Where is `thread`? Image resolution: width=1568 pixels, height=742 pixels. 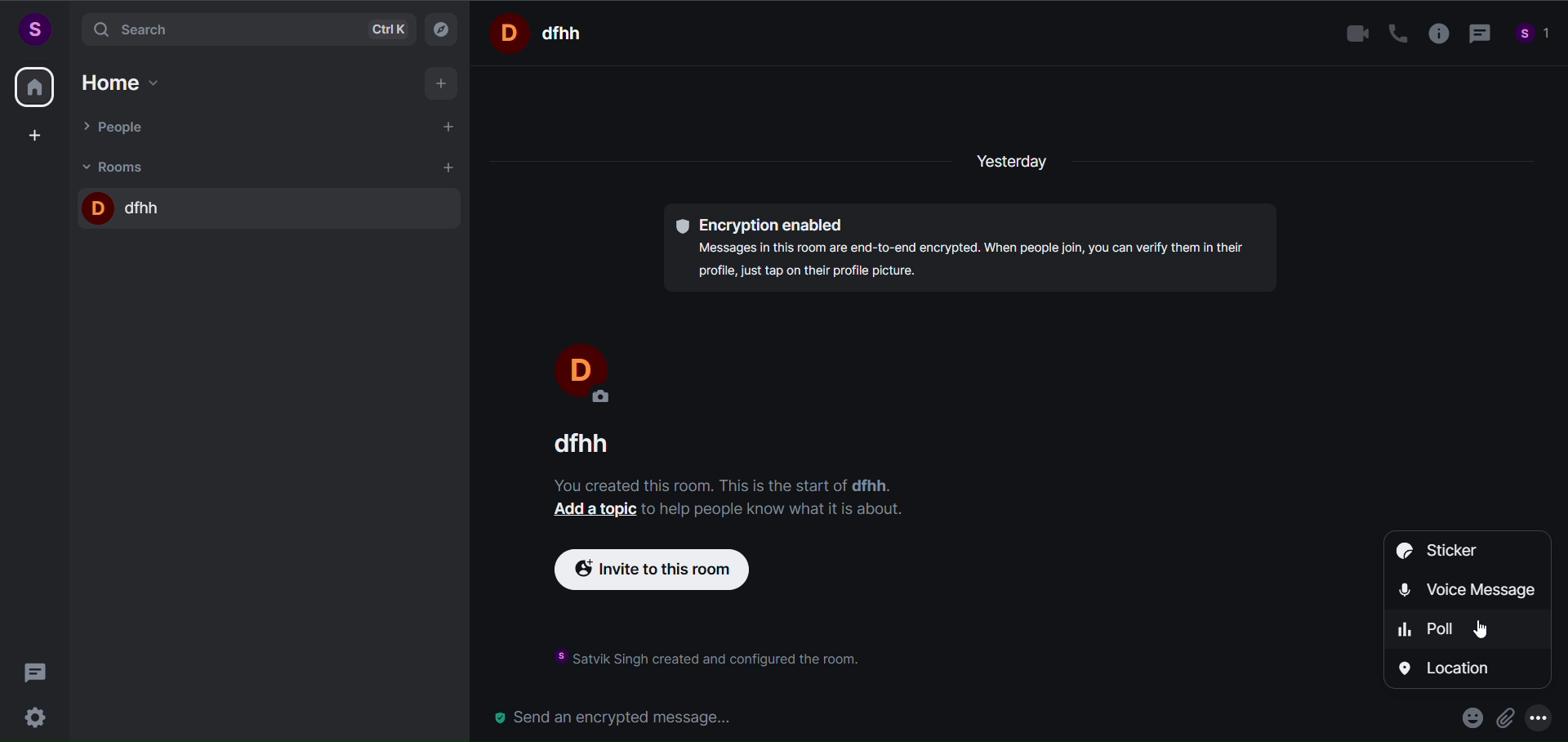
thread is located at coordinates (1477, 35).